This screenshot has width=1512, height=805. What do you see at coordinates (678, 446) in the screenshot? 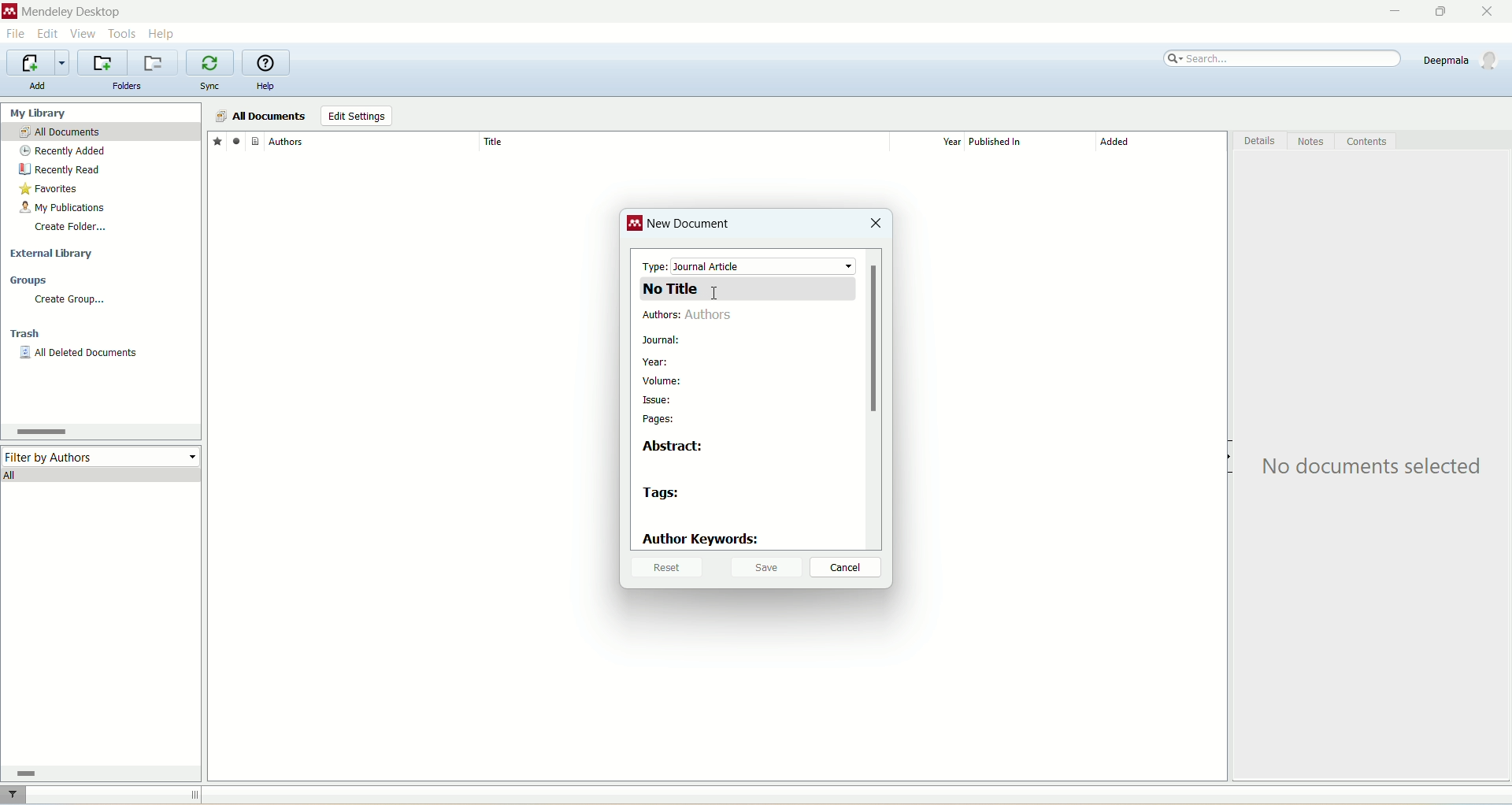
I see `abstract` at bounding box center [678, 446].